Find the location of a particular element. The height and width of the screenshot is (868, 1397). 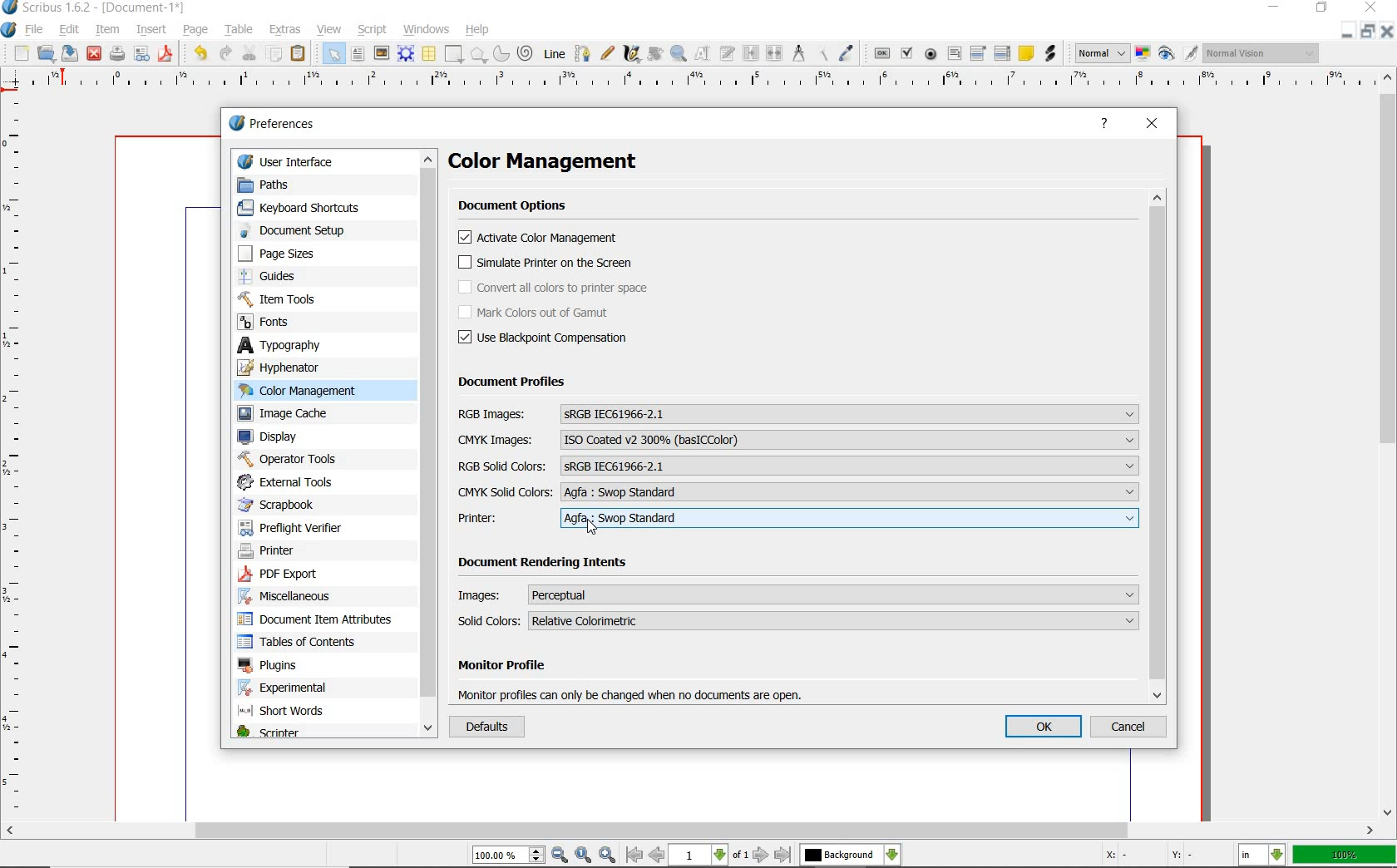

text frame is located at coordinates (358, 54).